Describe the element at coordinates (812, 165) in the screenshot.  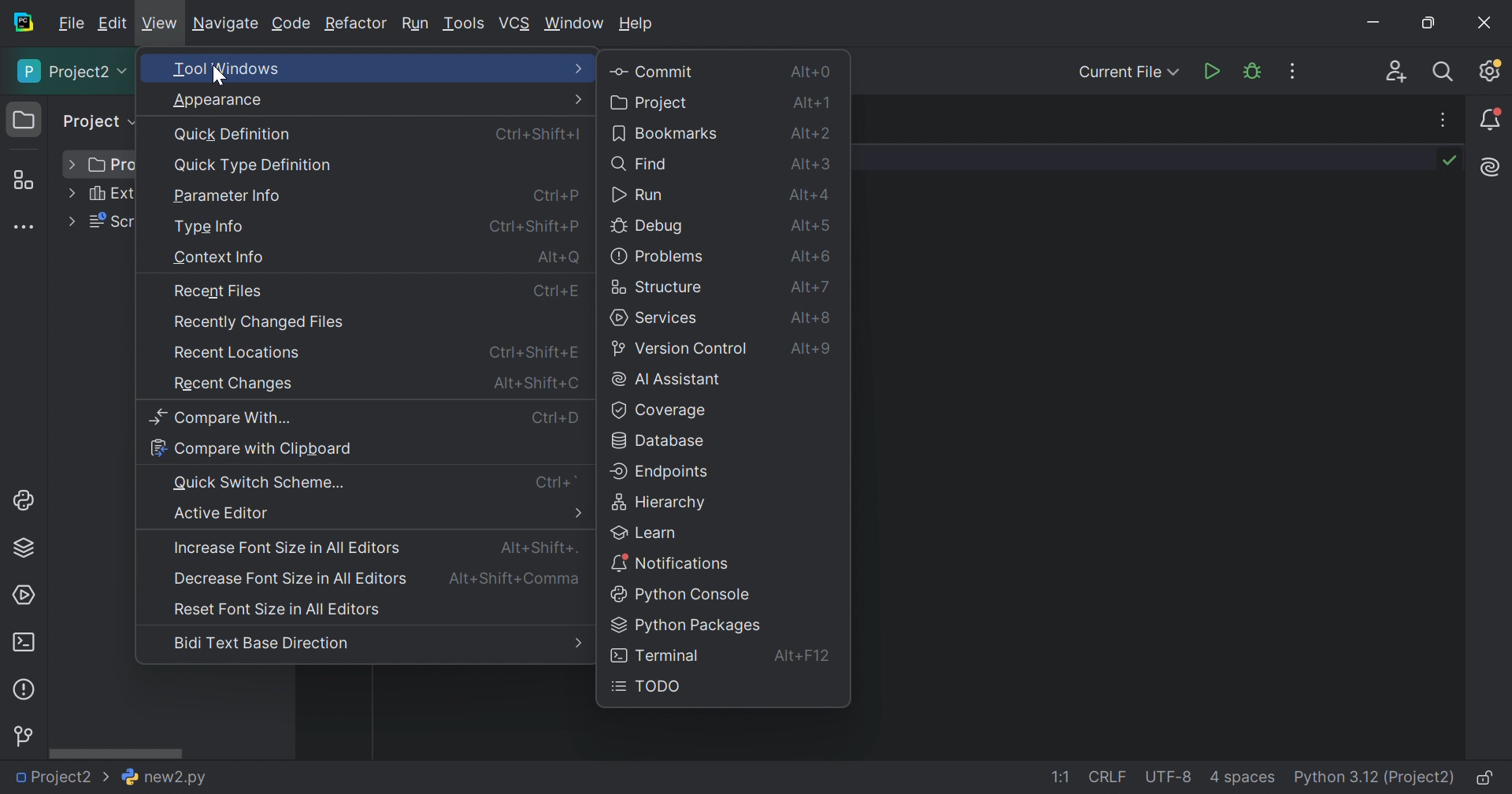
I see `Alt+3` at that location.